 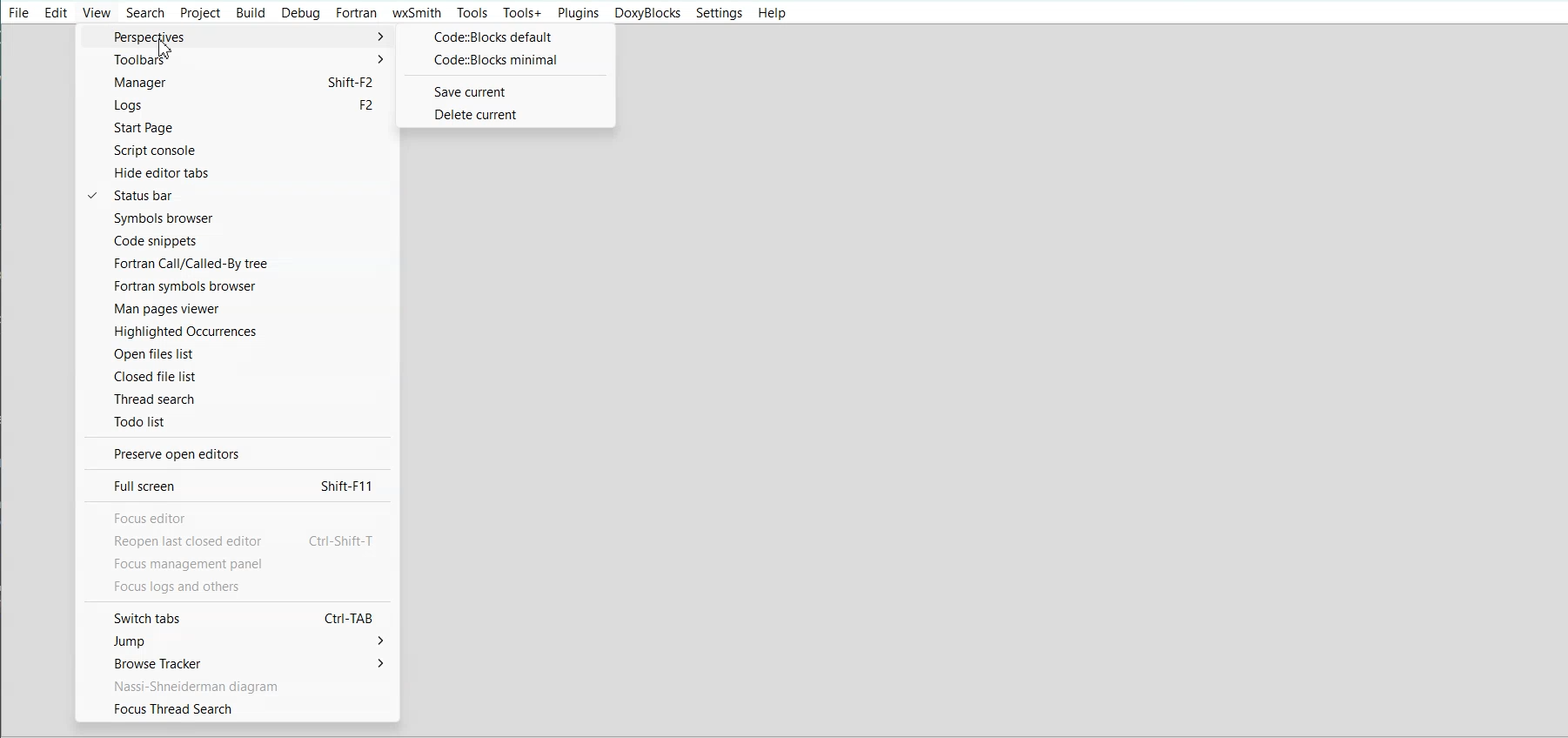 I want to click on Switch tabs, so click(x=241, y=619).